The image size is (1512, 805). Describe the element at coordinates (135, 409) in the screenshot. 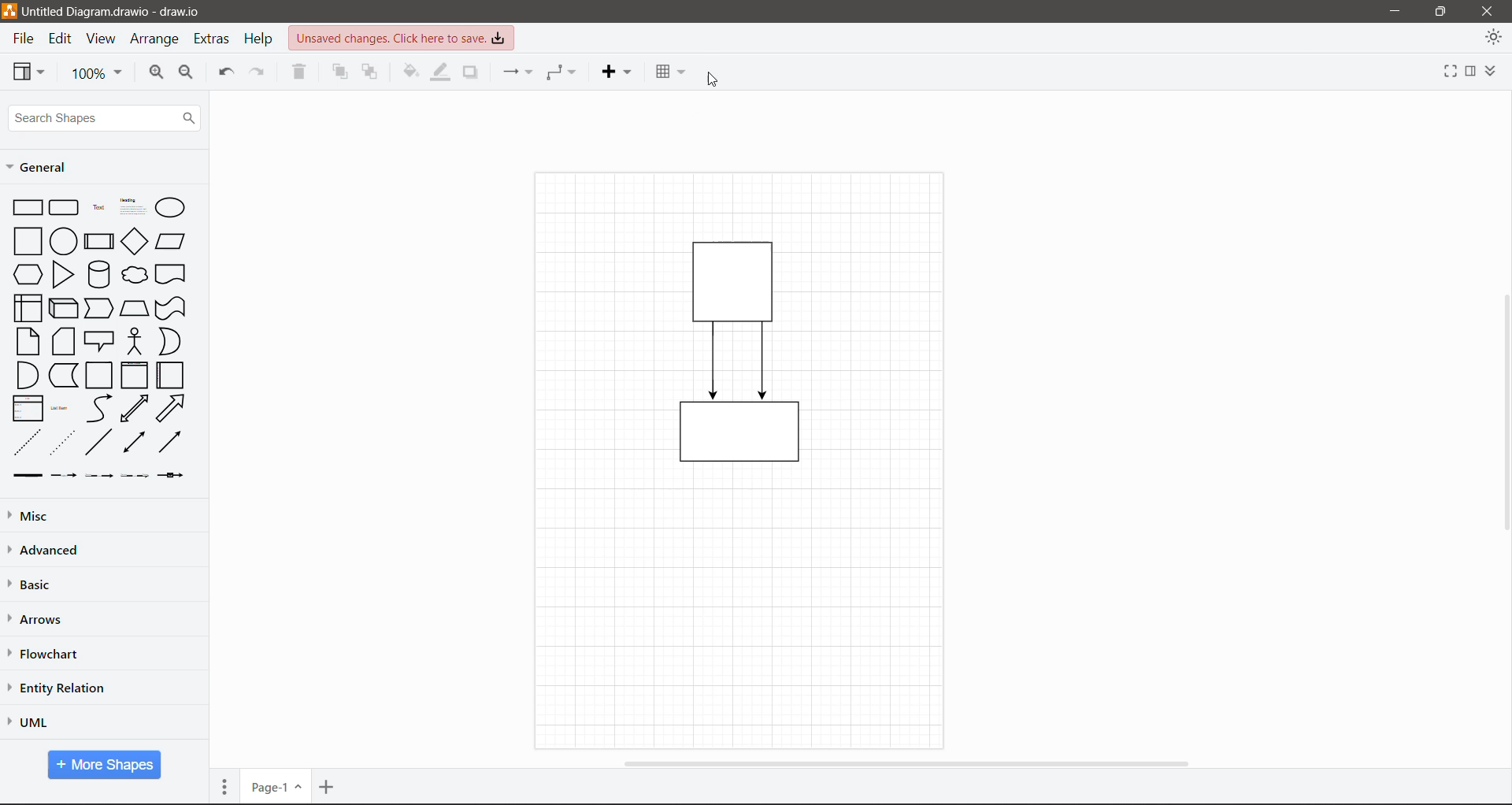

I see `bidirectional arrow` at that location.